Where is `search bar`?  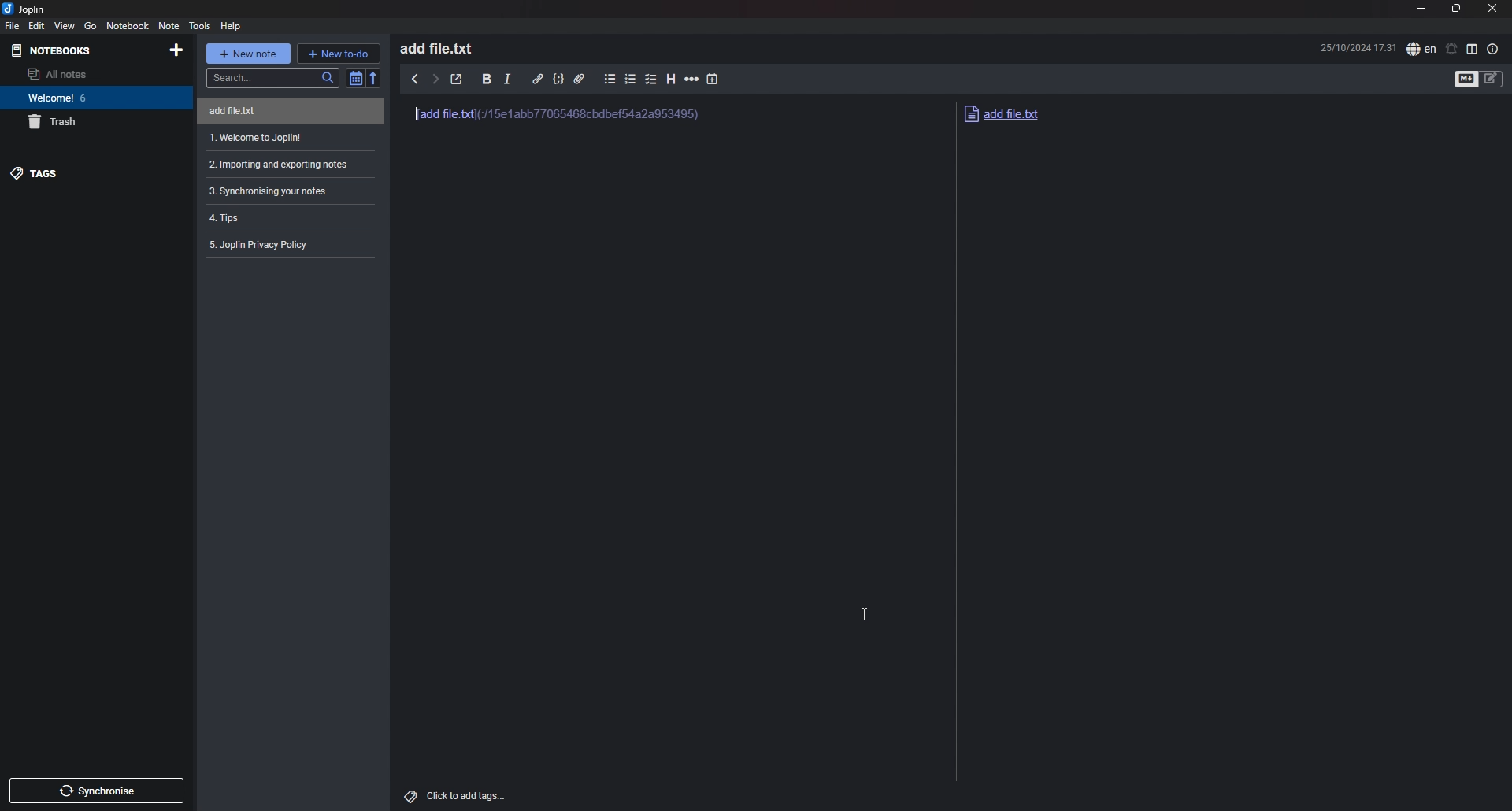
search bar is located at coordinates (272, 78).